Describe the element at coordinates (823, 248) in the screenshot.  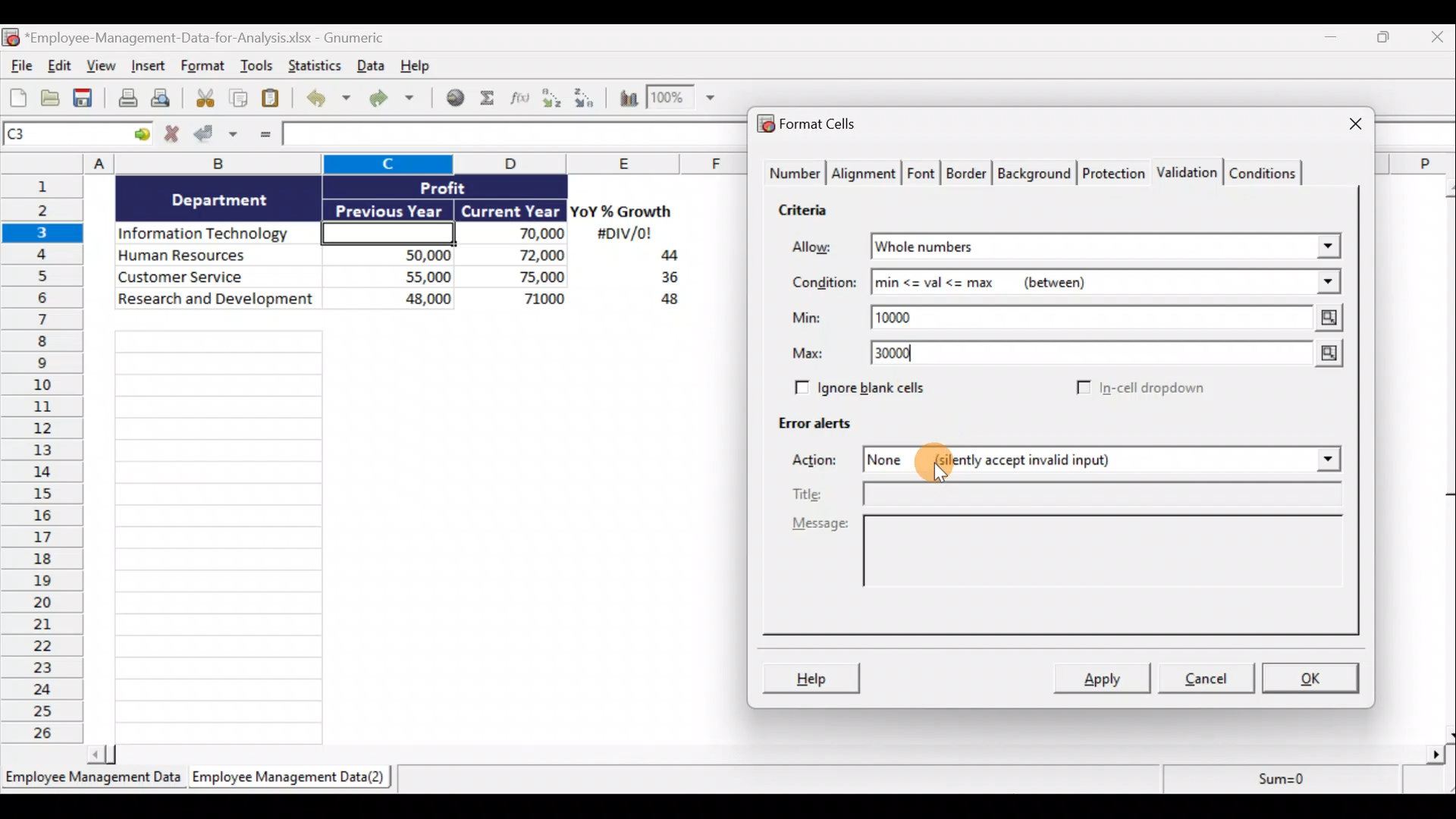
I see `Allow` at that location.